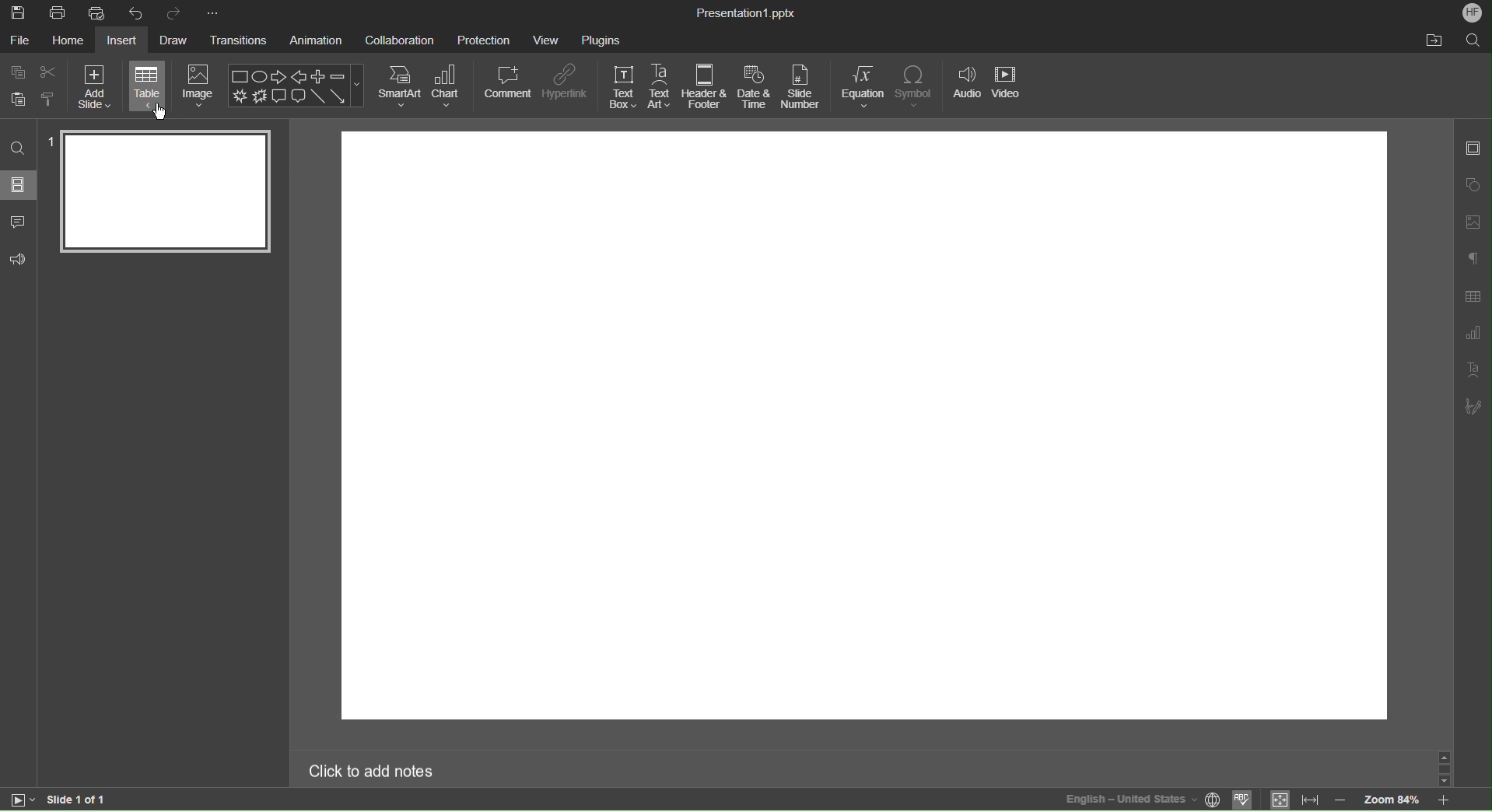  Describe the element at coordinates (449, 86) in the screenshot. I see `Chart` at that location.